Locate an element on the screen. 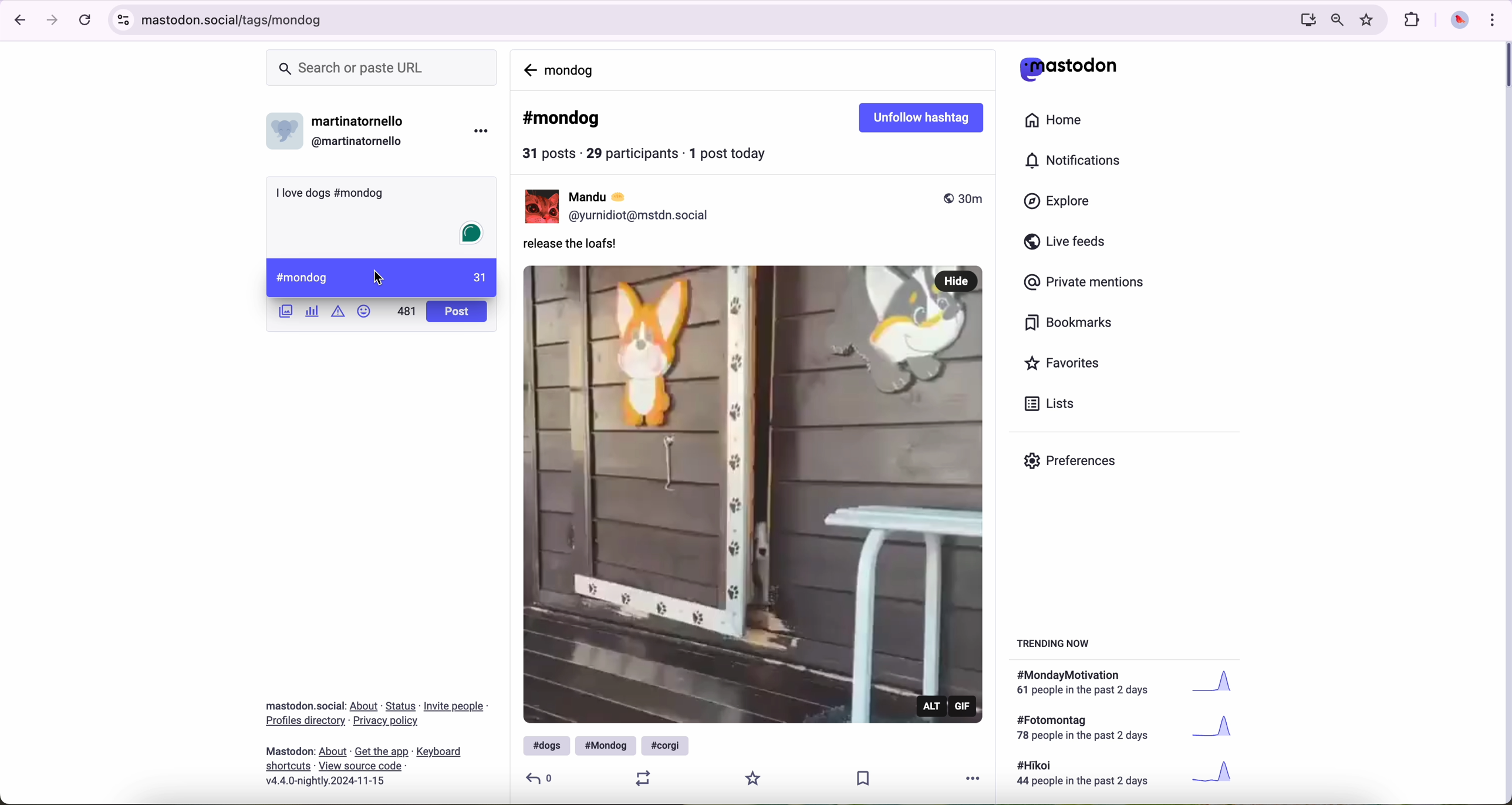 This screenshot has width=1512, height=805. 500 is located at coordinates (406, 311).